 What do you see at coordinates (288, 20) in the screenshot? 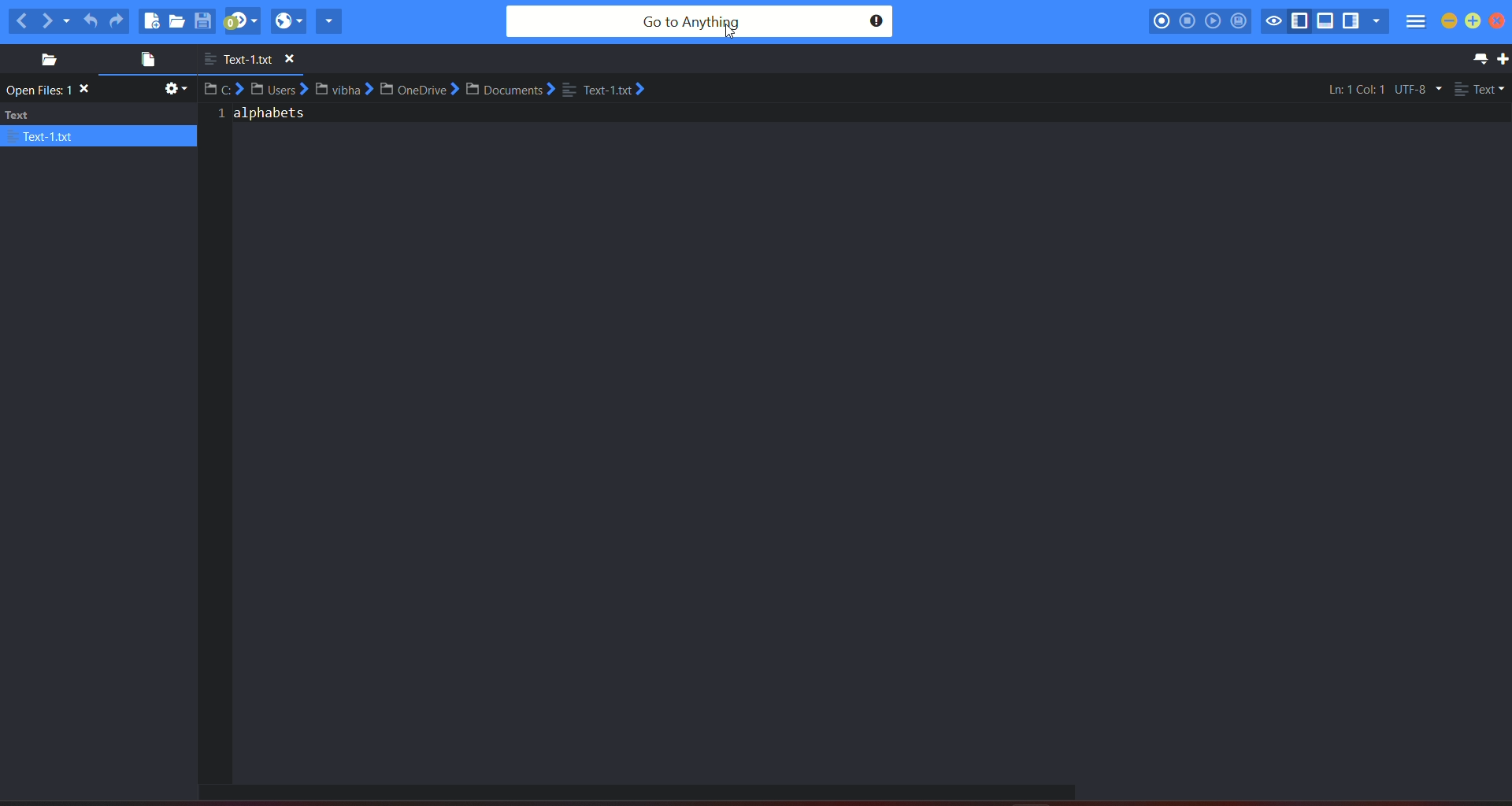
I see `view in browser` at bounding box center [288, 20].